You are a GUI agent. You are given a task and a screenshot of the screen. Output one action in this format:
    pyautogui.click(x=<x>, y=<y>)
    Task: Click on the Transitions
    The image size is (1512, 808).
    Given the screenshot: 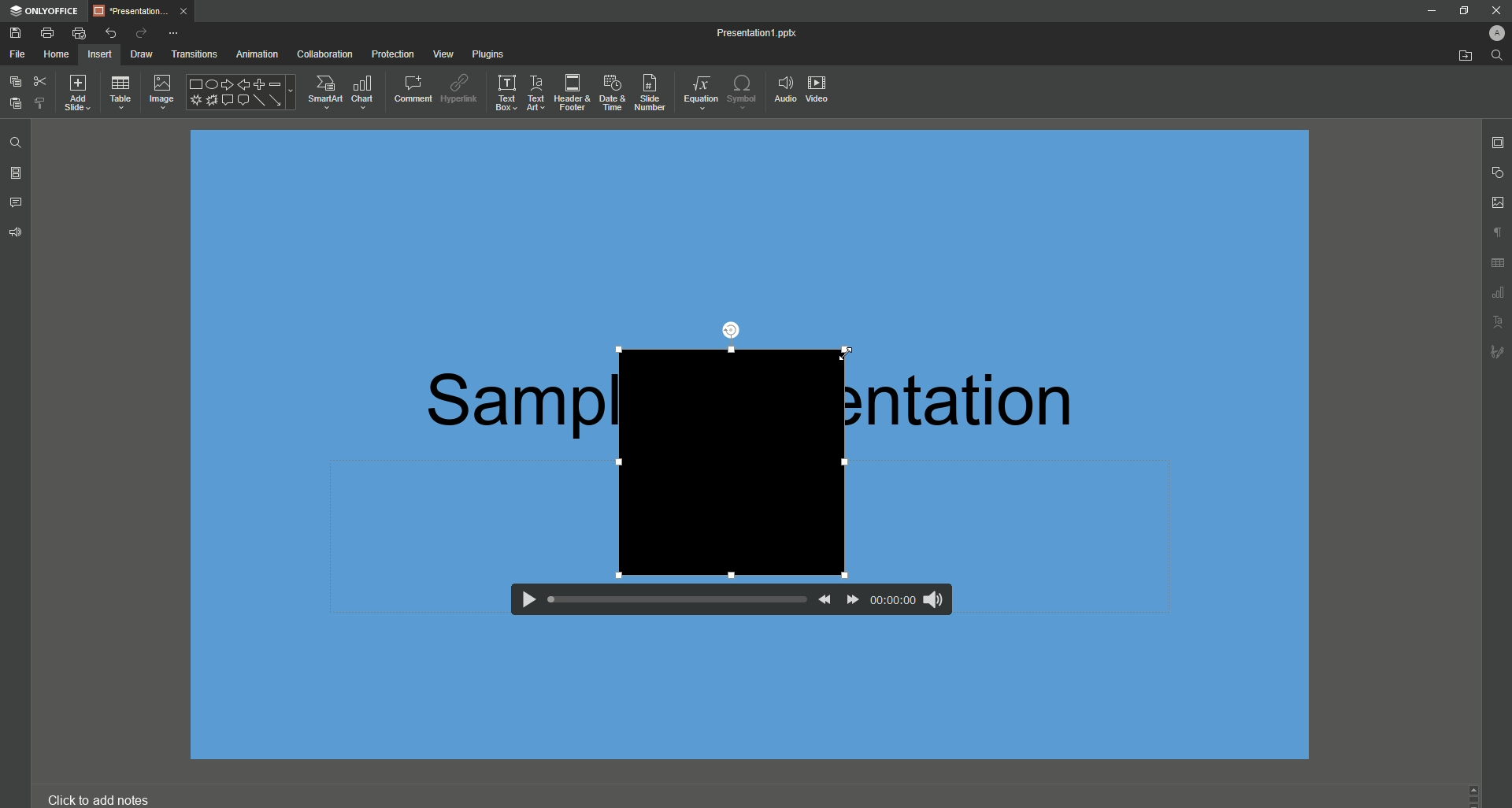 What is the action you would take?
    pyautogui.click(x=193, y=55)
    